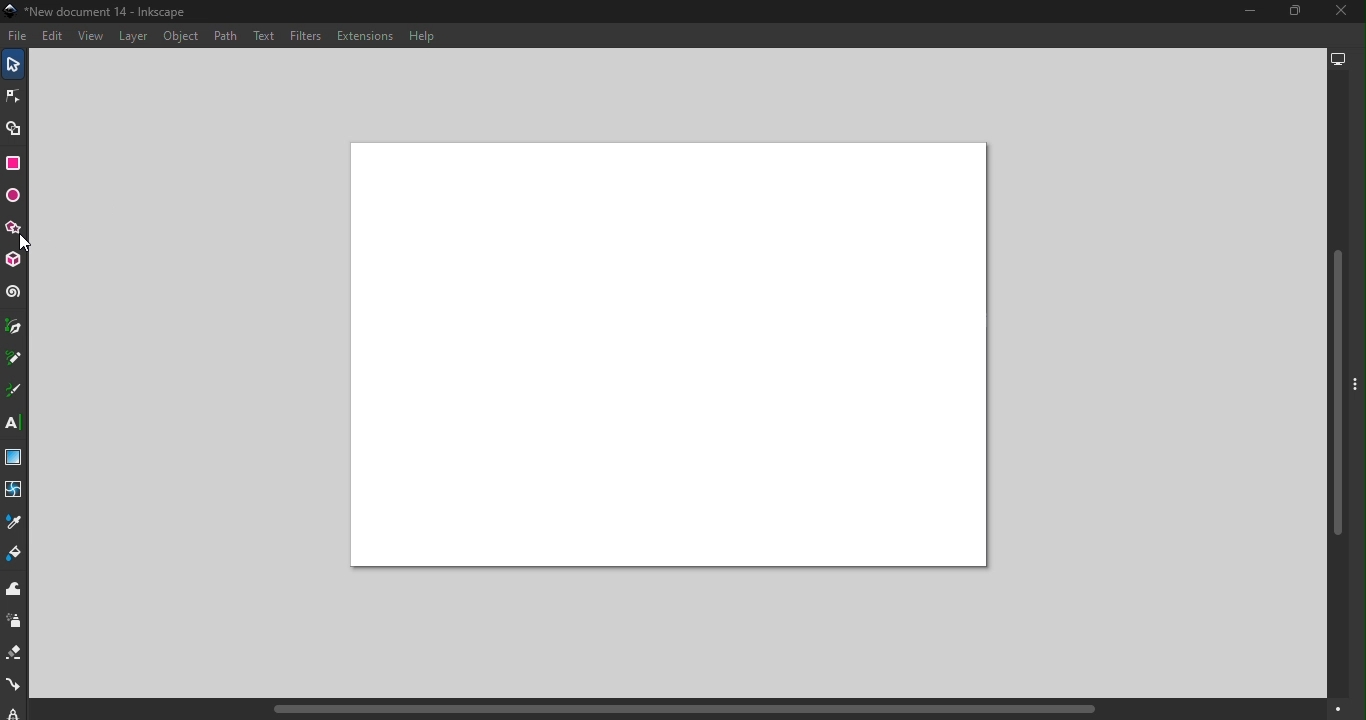 This screenshot has width=1366, height=720. What do you see at coordinates (15, 459) in the screenshot?
I see `Gradient tool` at bounding box center [15, 459].